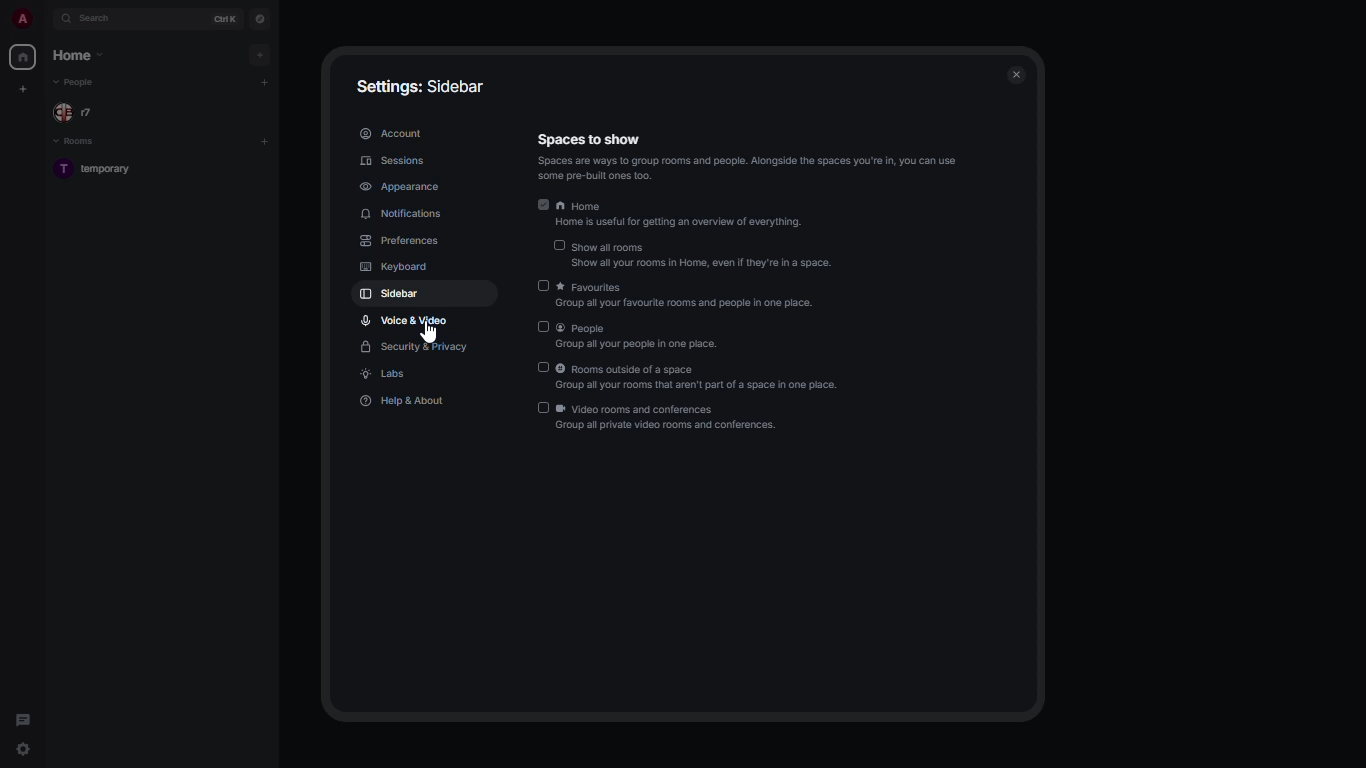 Image resolution: width=1366 pixels, height=768 pixels. What do you see at coordinates (98, 19) in the screenshot?
I see `search` at bounding box center [98, 19].